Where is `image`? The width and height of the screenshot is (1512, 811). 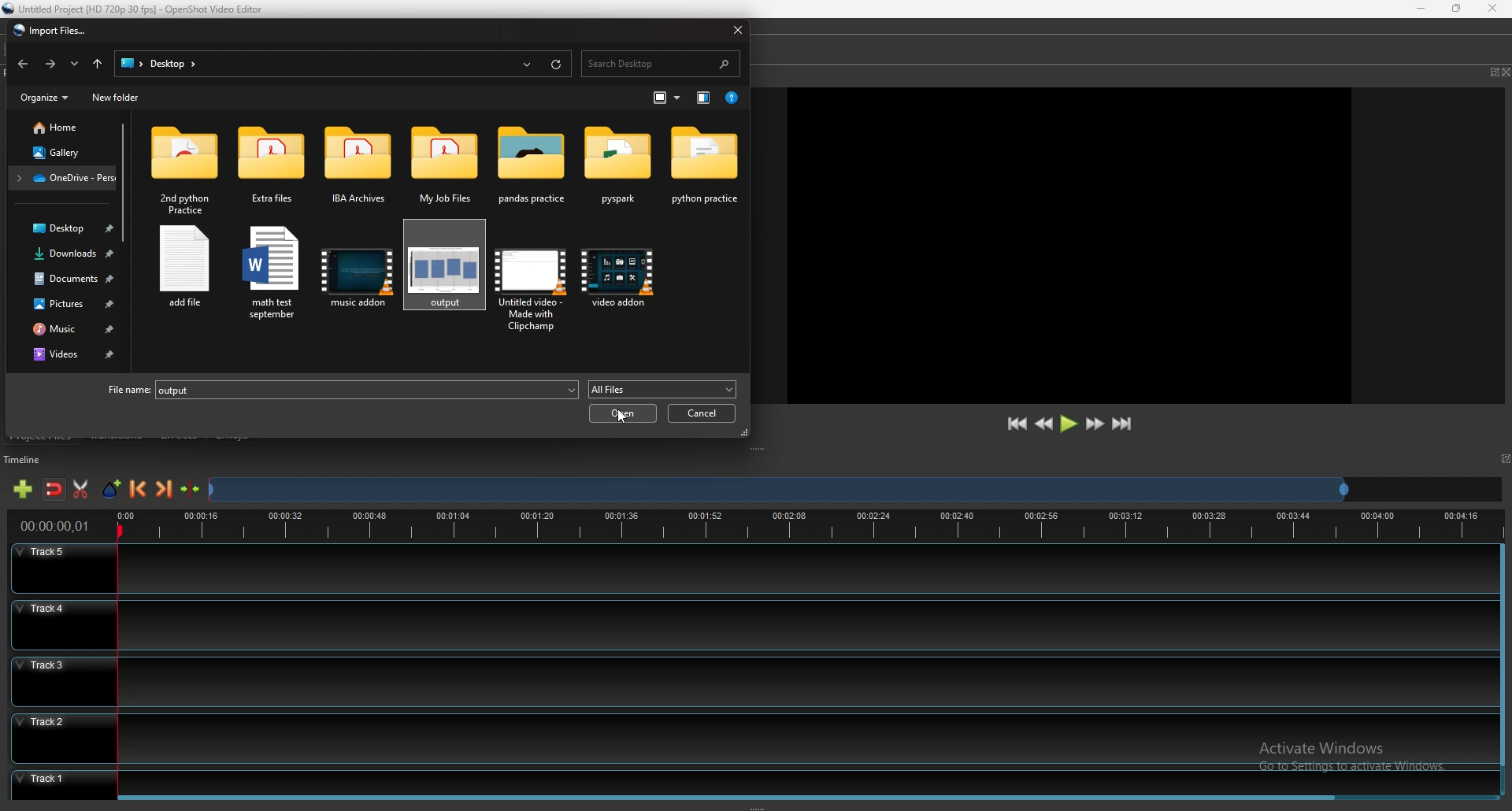 image is located at coordinates (445, 267).